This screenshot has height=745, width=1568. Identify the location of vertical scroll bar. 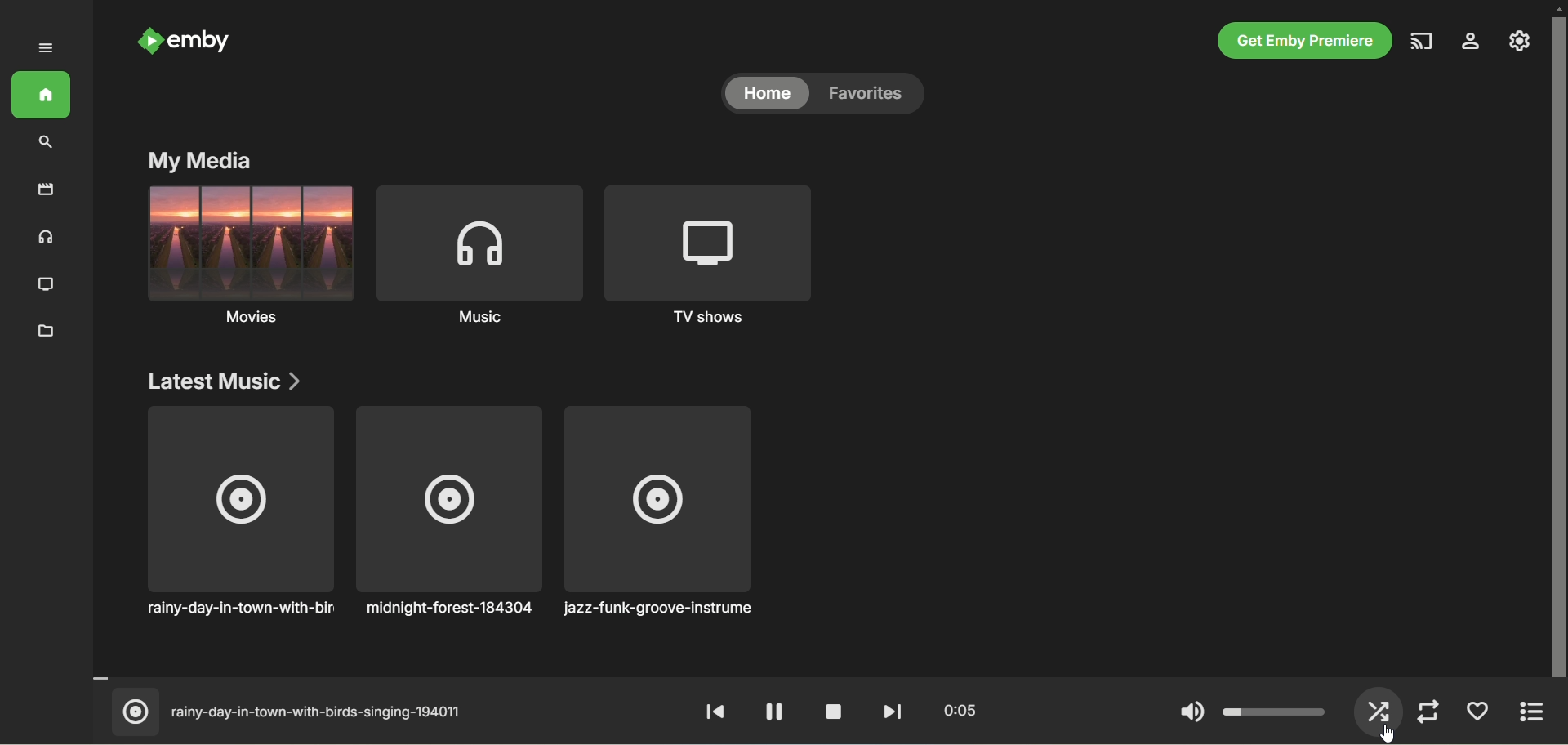
(1558, 372).